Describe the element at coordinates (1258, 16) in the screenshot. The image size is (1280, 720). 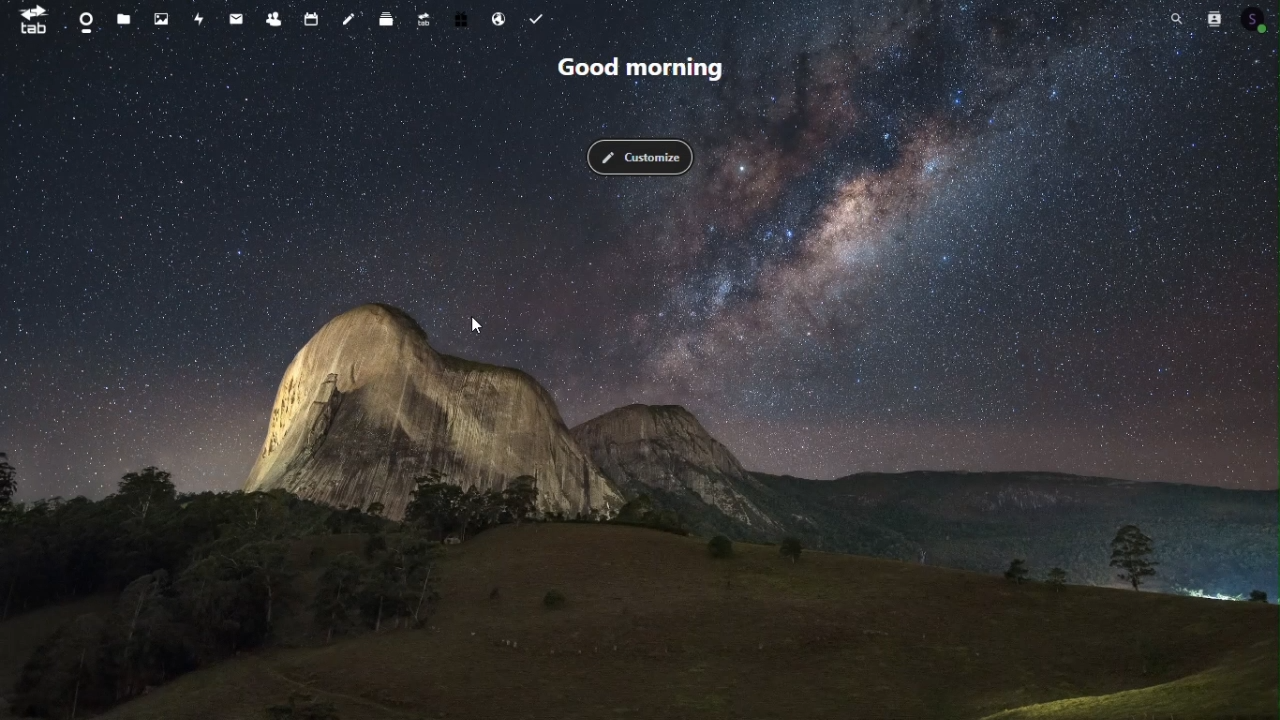
I see `Account icon` at that location.